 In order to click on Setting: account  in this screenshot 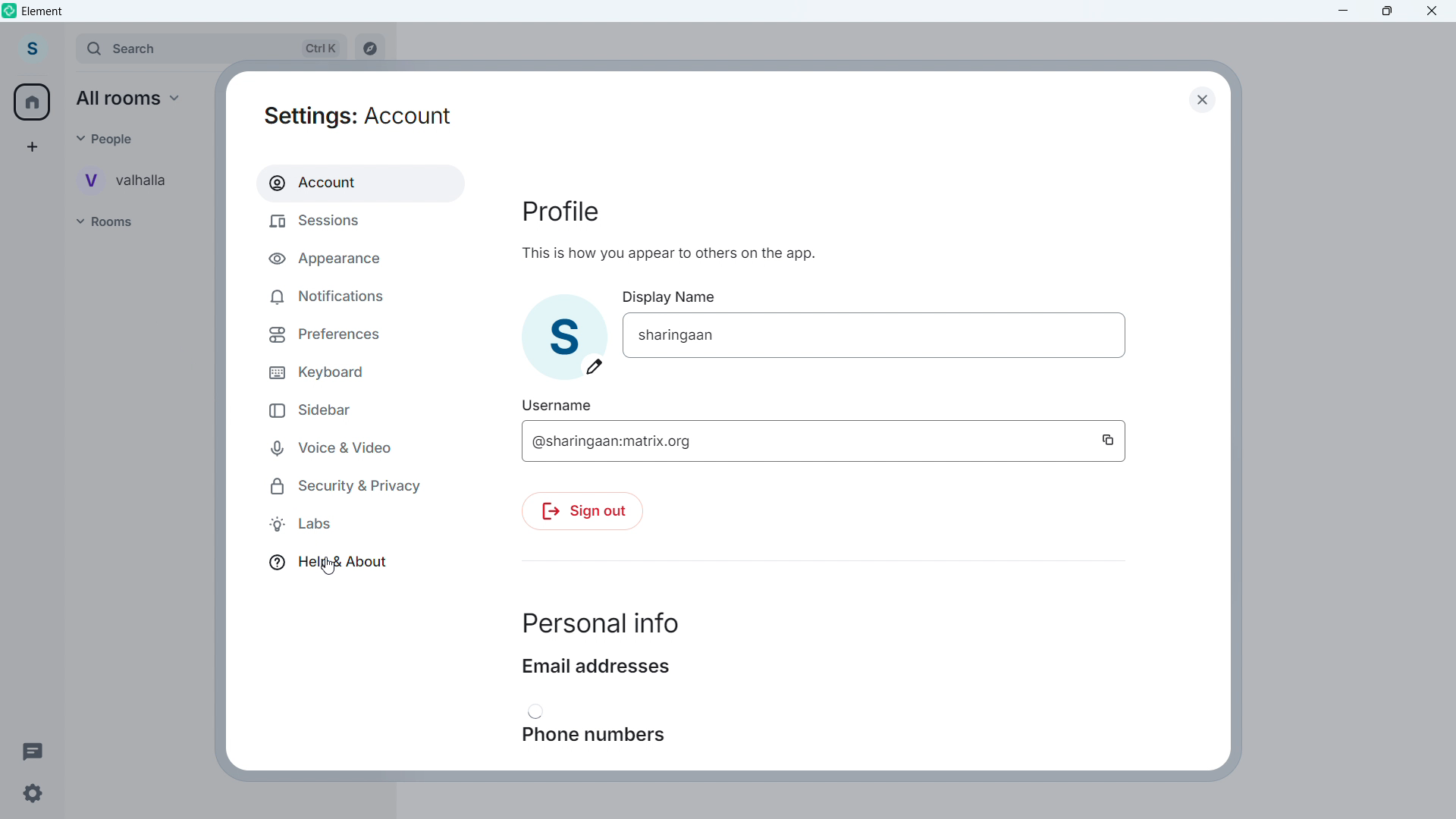, I will do `click(356, 118)`.